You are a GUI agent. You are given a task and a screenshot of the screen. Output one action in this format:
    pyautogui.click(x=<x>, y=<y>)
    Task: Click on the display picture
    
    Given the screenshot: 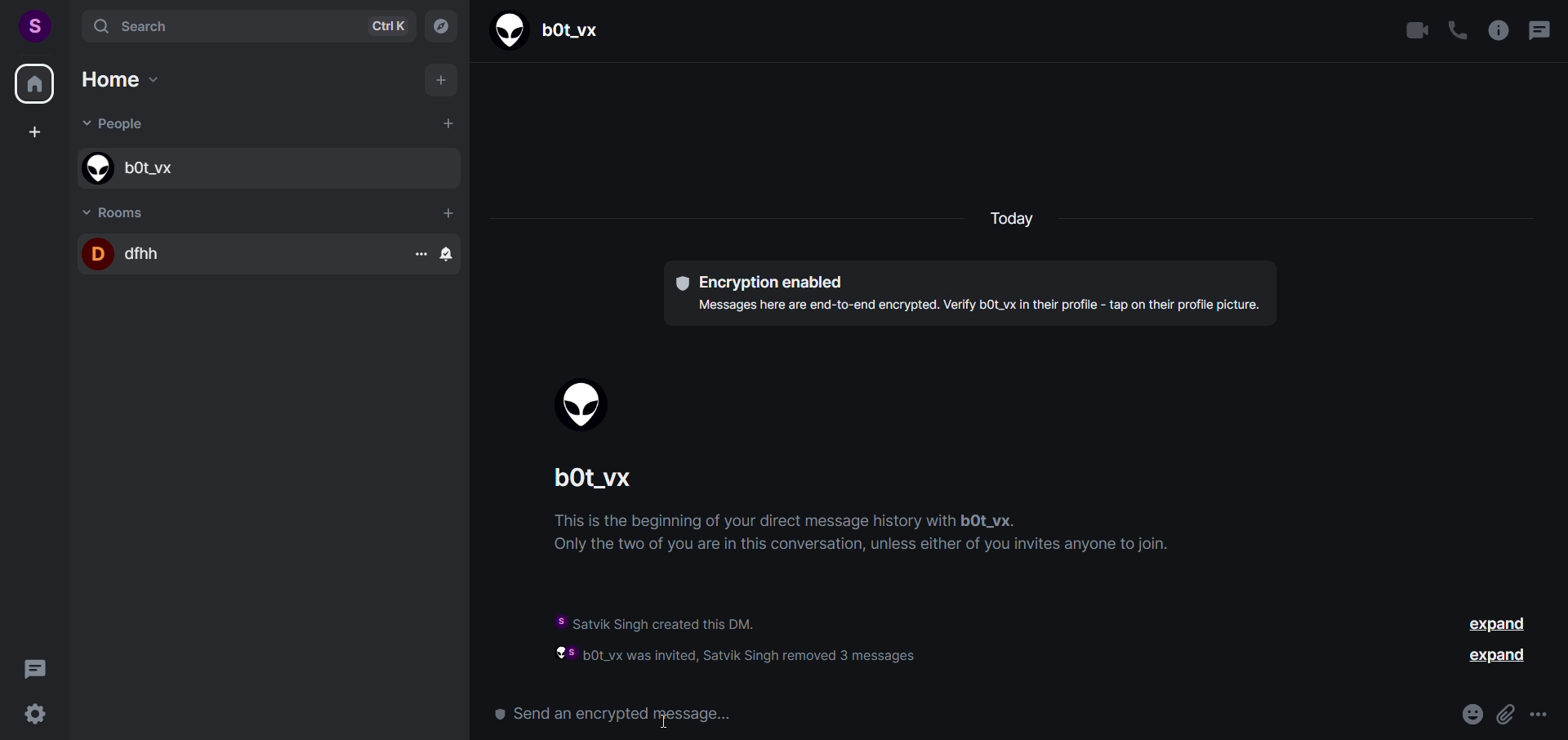 What is the action you would take?
    pyautogui.click(x=584, y=407)
    